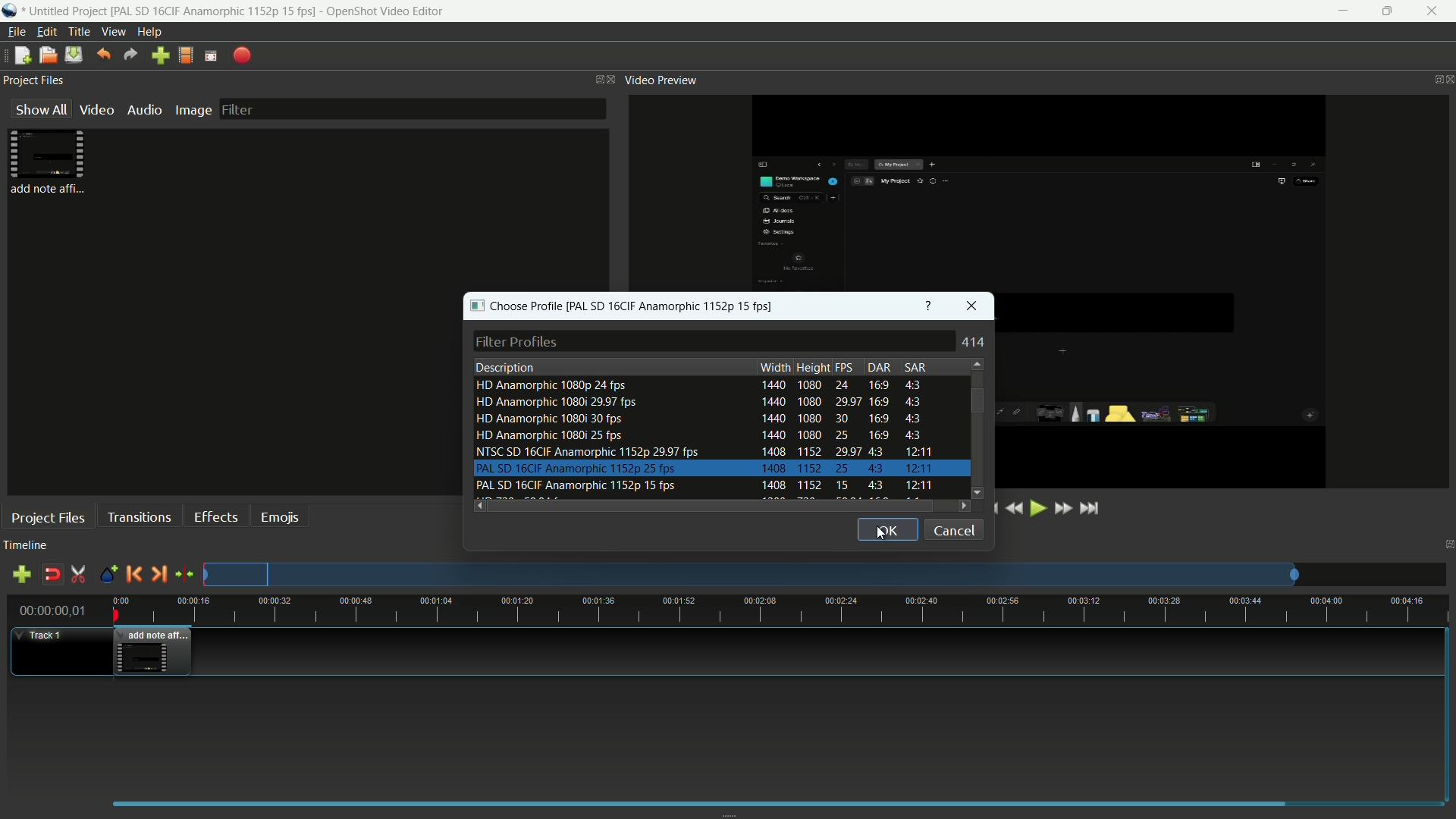  Describe the element at coordinates (1447, 80) in the screenshot. I see `close video preview` at that location.